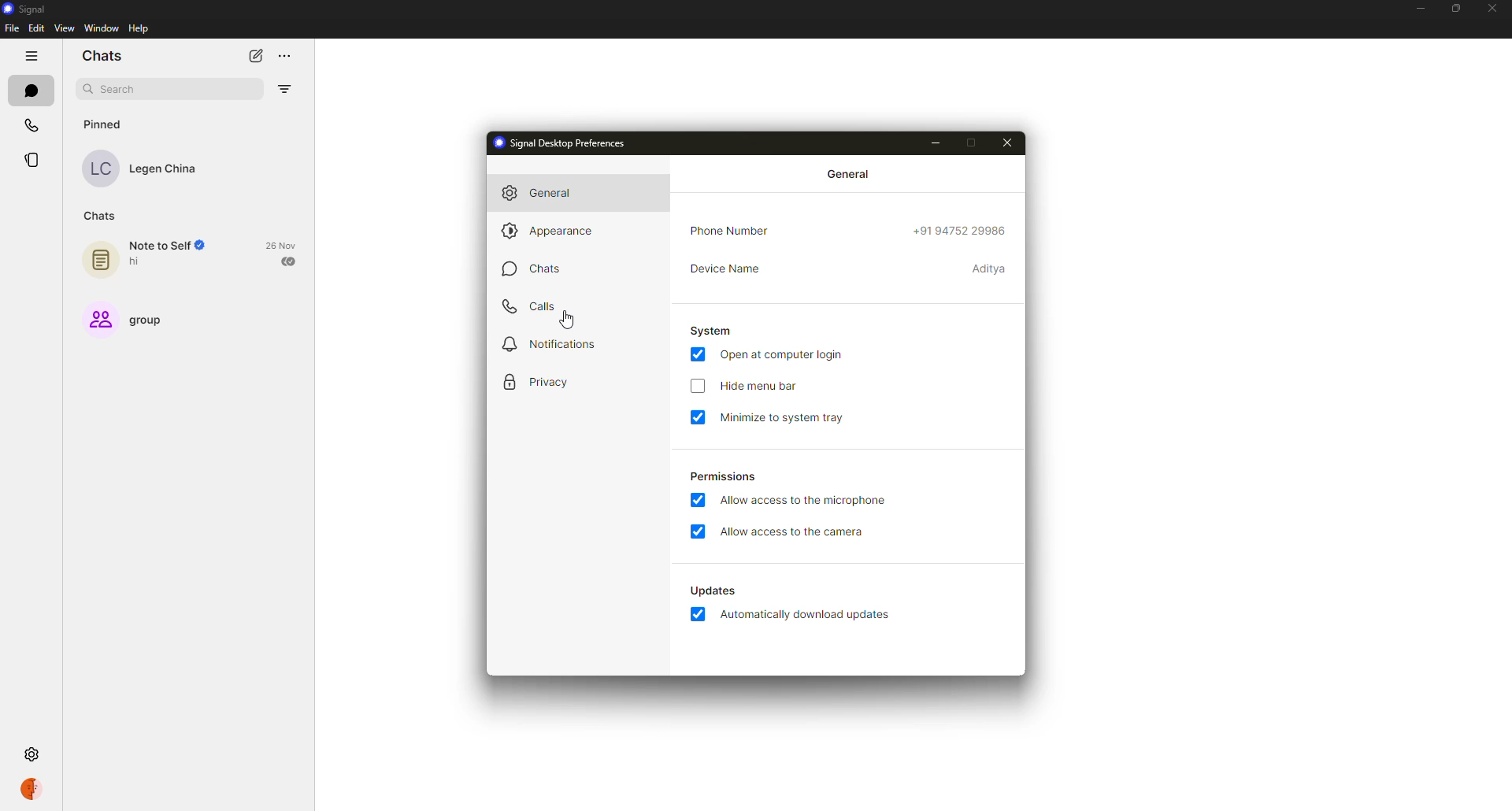  What do you see at coordinates (33, 56) in the screenshot?
I see `hide tabs` at bounding box center [33, 56].